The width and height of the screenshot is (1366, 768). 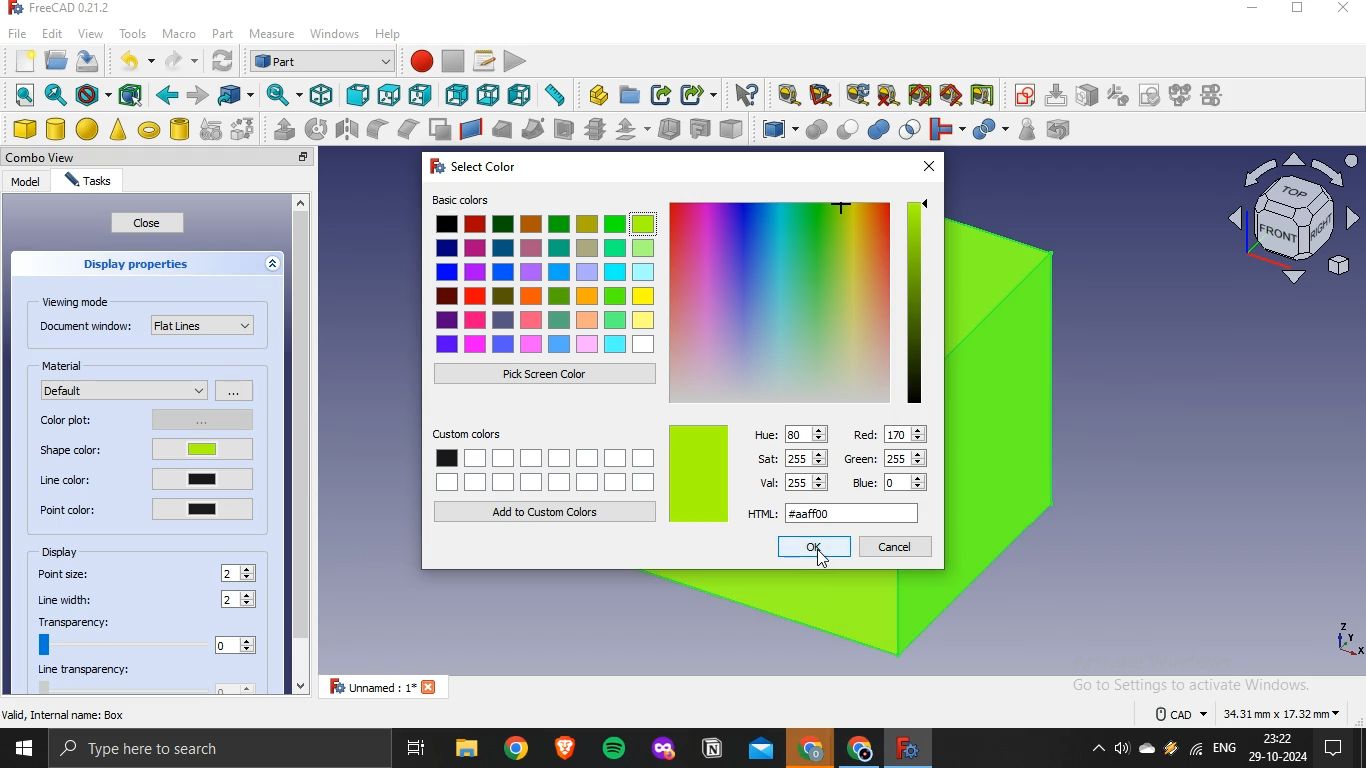 What do you see at coordinates (1297, 10) in the screenshot?
I see `restore down` at bounding box center [1297, 10].